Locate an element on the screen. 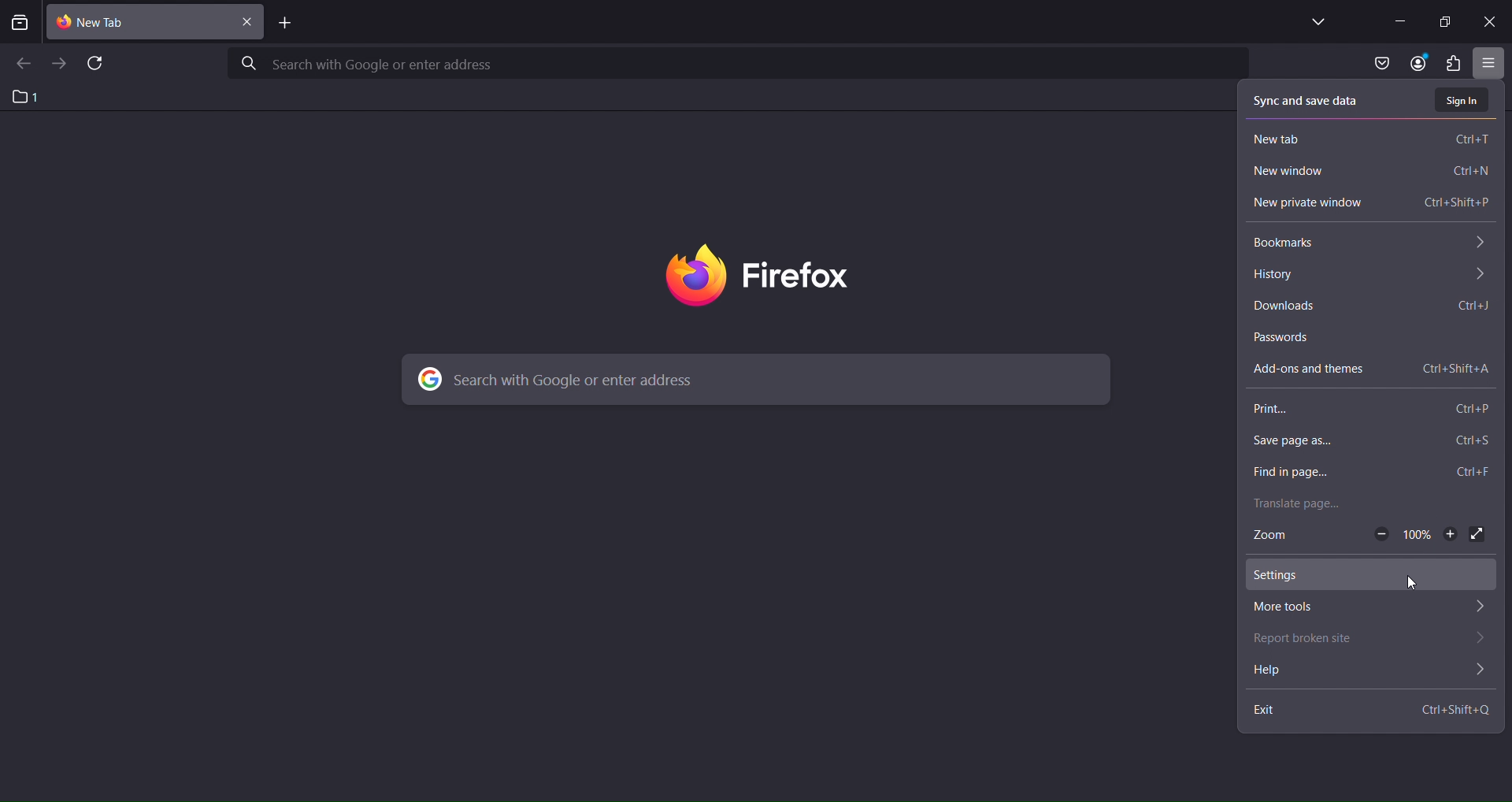 The height and width of the screenshot is (802, 1512). Q search with Google or enter address is located at coordinates (361, 64).